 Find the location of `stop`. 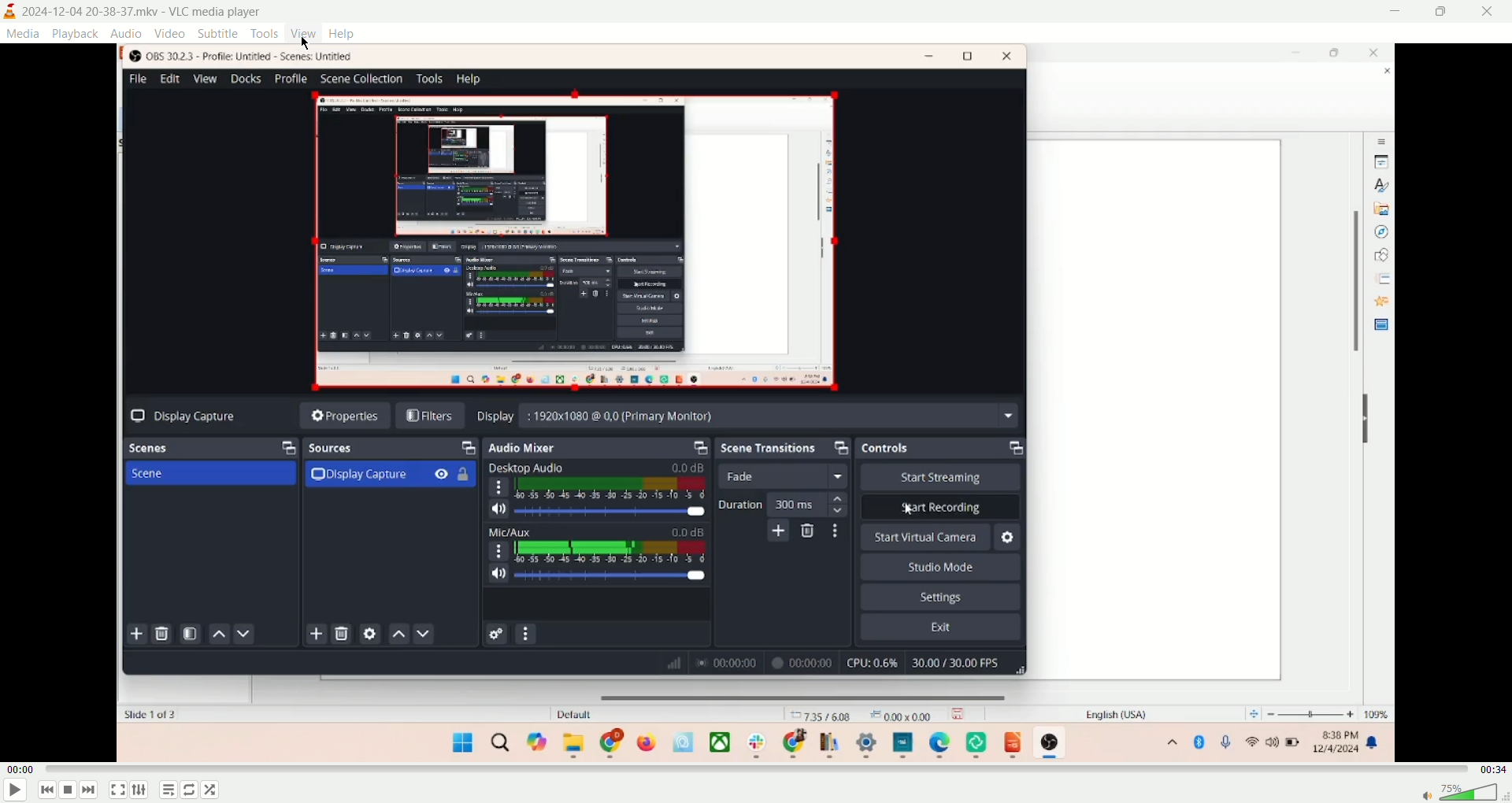

stop is located at coordinates (70, 791).